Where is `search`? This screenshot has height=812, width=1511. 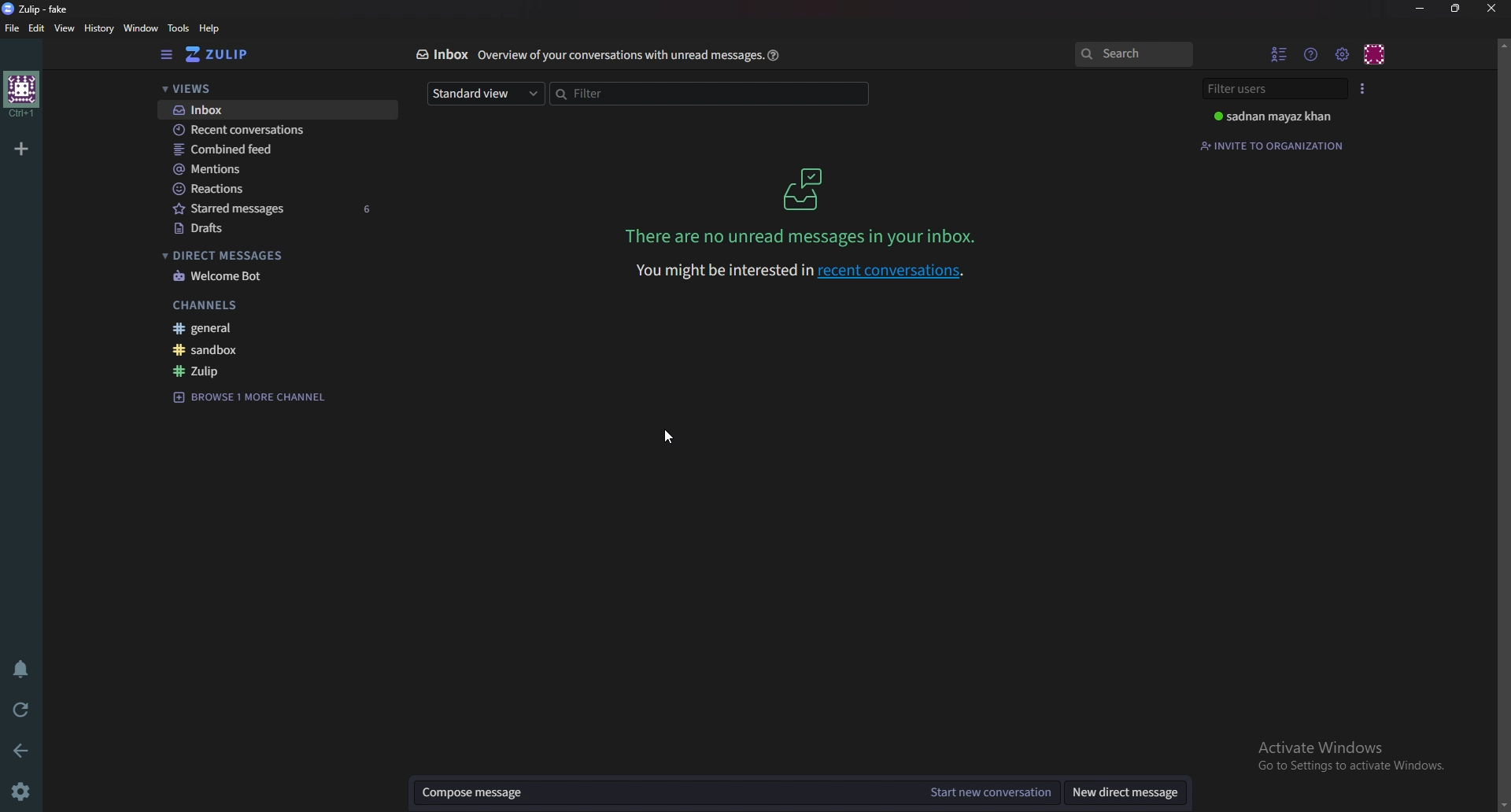 search is located at coordinates (1136, 54).